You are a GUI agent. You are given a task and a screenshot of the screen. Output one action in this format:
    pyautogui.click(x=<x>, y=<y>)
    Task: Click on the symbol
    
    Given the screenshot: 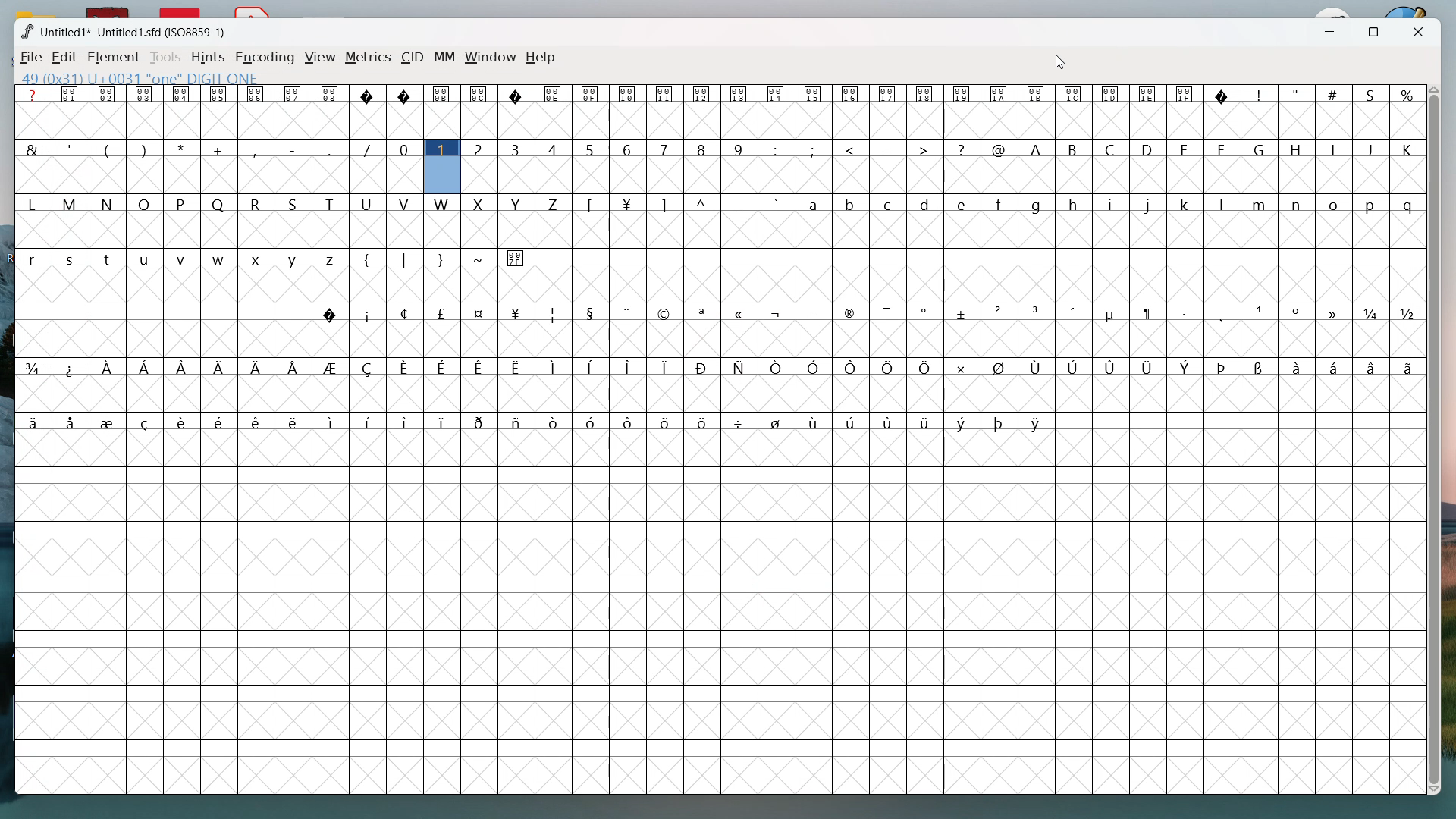 What is the action you would take?
    pyautogui.click(x=628, y=423)
    